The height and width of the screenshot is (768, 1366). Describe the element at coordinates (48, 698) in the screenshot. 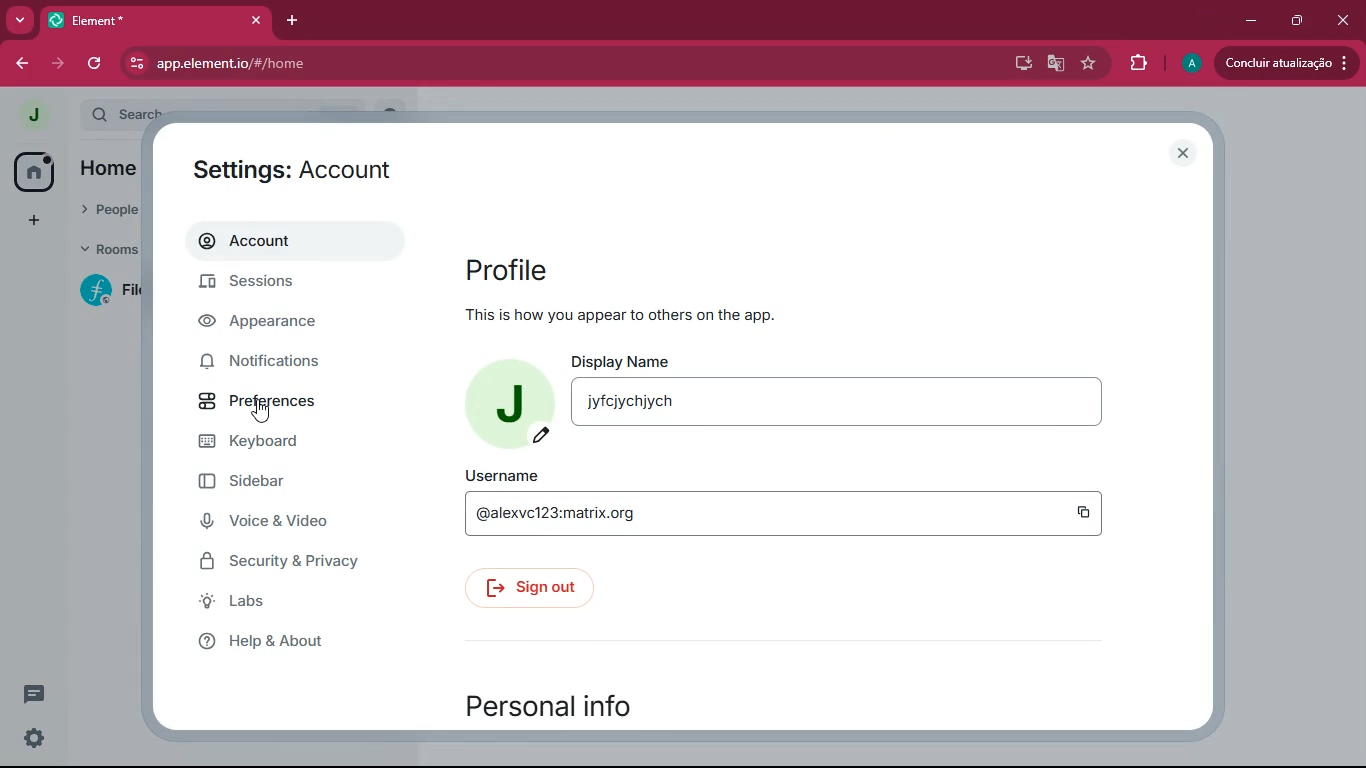

I see `comments ` at that location.